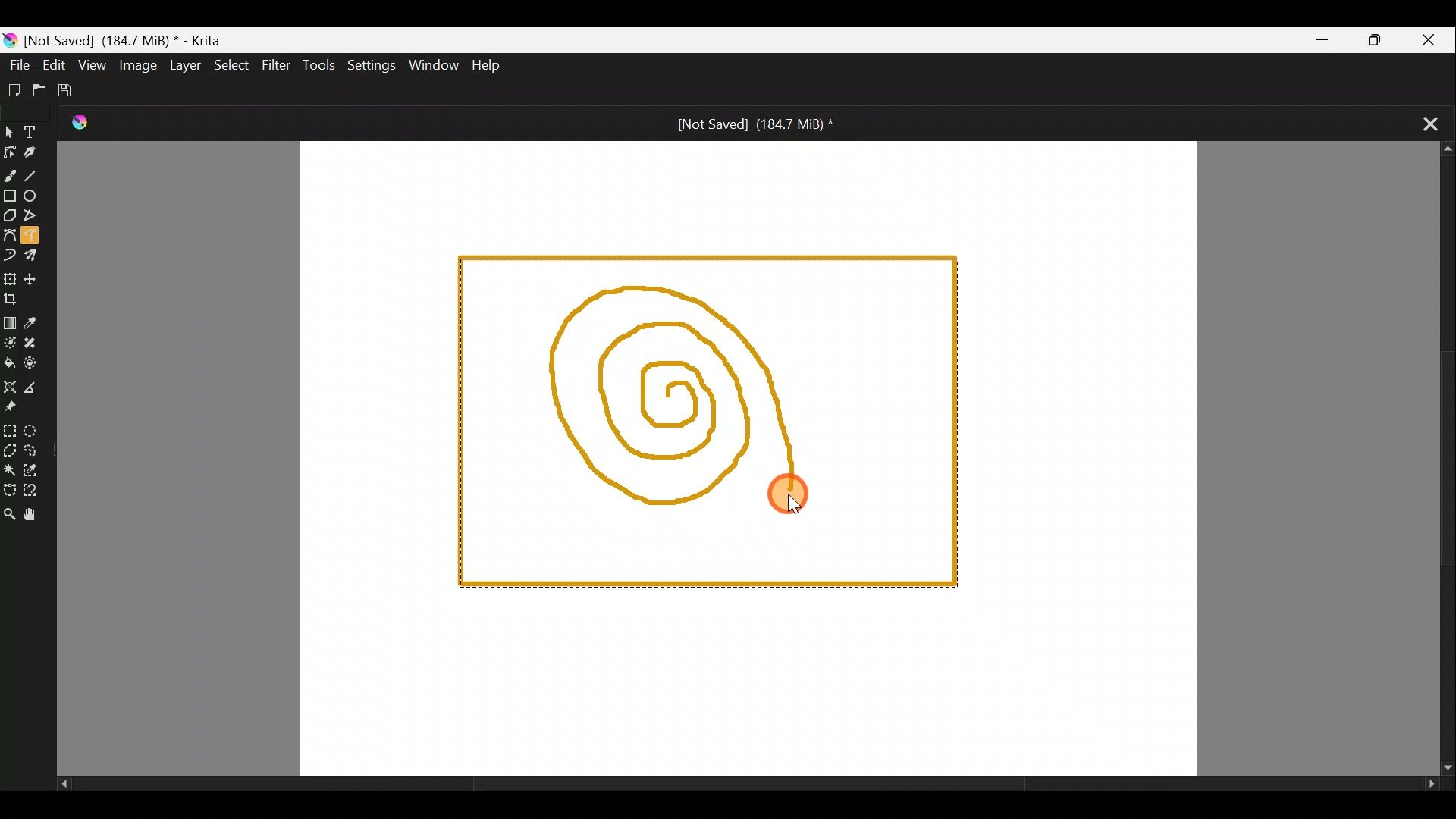 This screenshot has width=1456, height=819. I want to click on Freehand selection tool, so click(39, 453).